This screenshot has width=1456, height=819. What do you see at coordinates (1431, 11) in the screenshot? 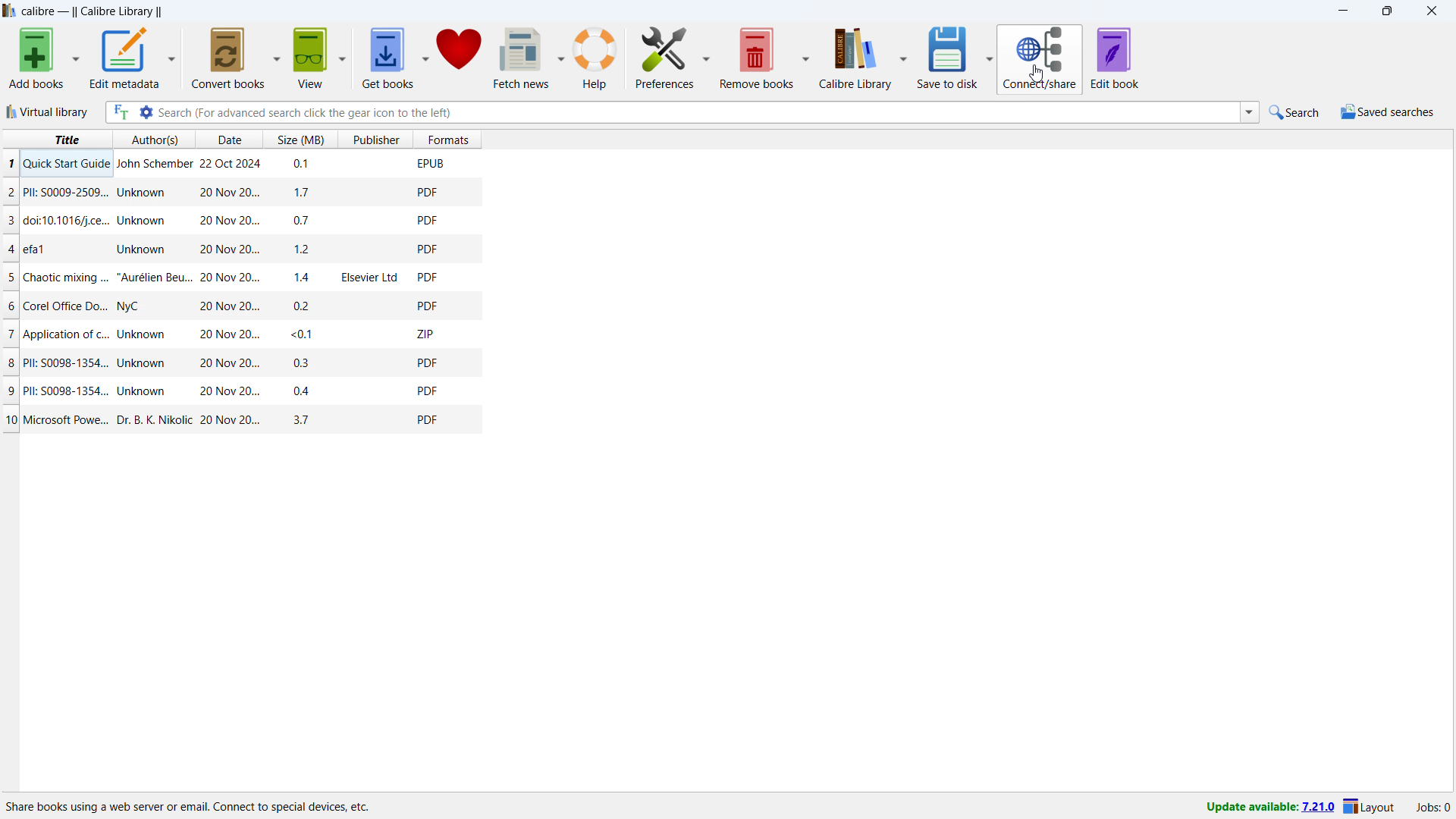
I see `close` at bounding box center [1431, 11].